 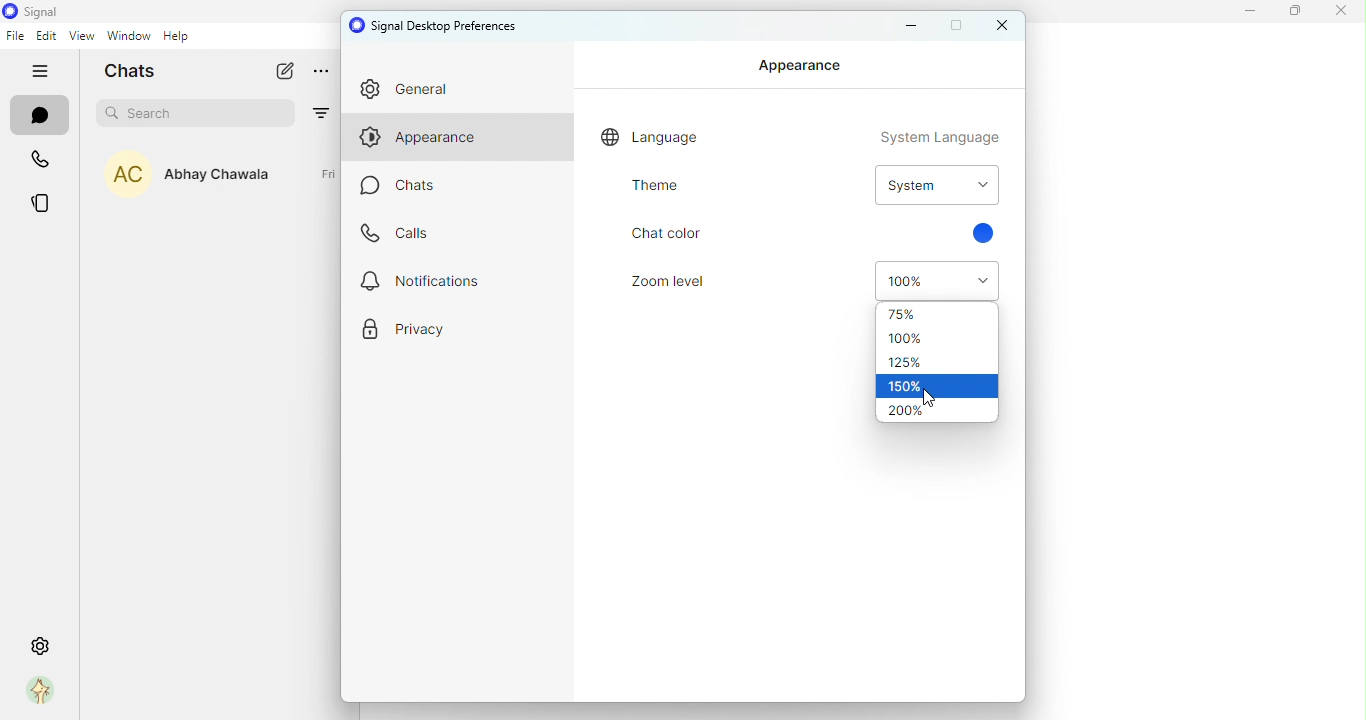 What do you see at coordinates (439, 25) in the screenshot?
I see `signal desktop preferences` at bounding box center [439, 25].